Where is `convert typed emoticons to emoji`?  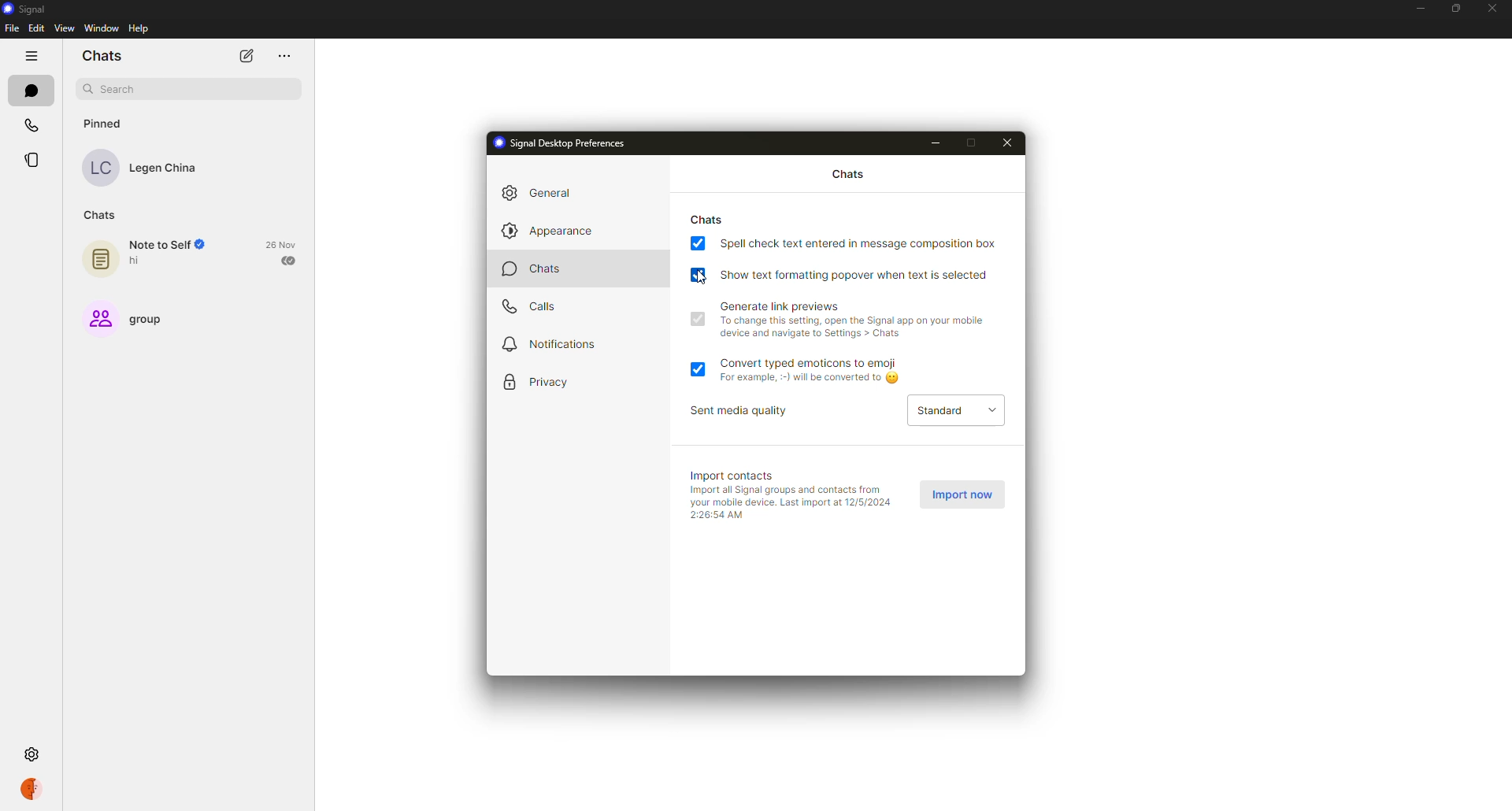
convert typed emoticons to emoji is located at coordinates (819, 368).